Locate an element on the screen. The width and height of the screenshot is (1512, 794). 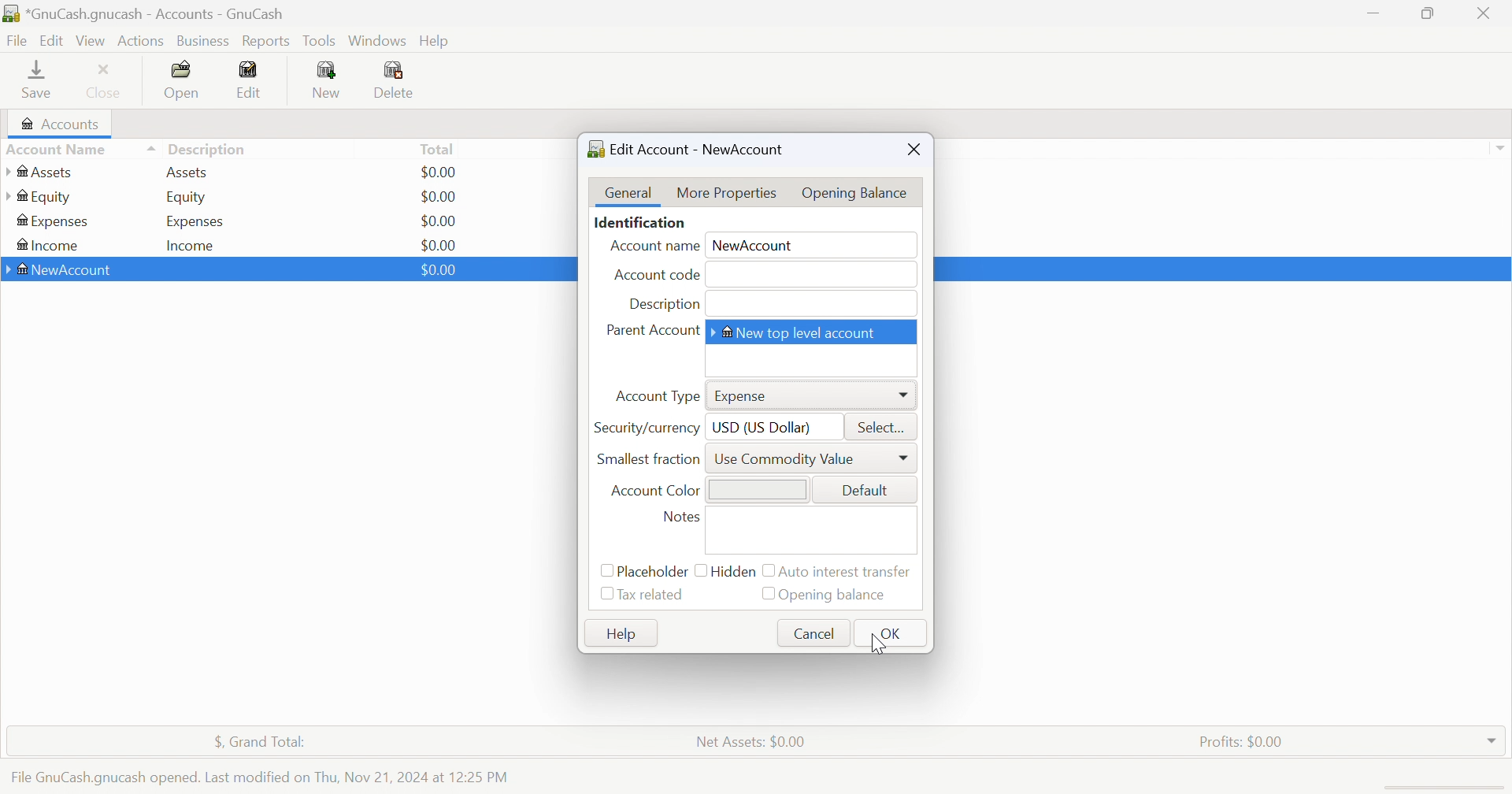
$0.00 is located at coordinates (437, 197).